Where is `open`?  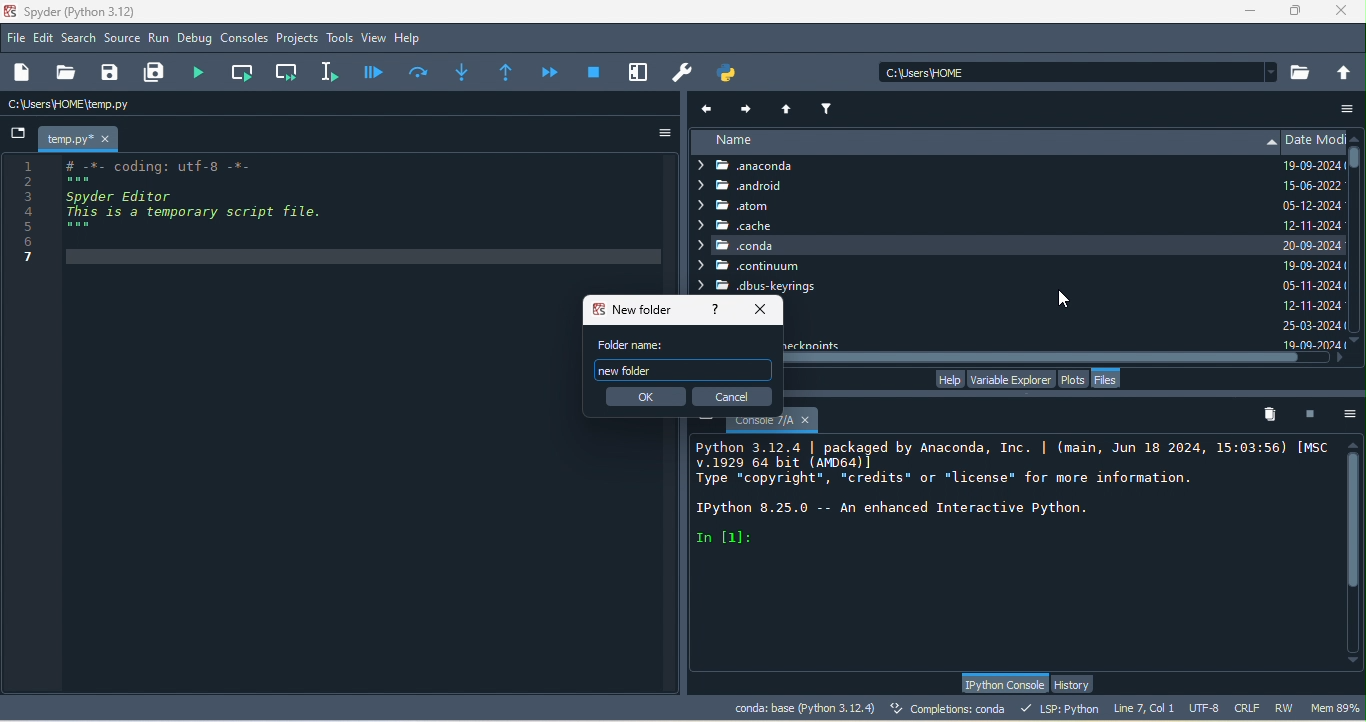
open is located at coordinates (65, 73).